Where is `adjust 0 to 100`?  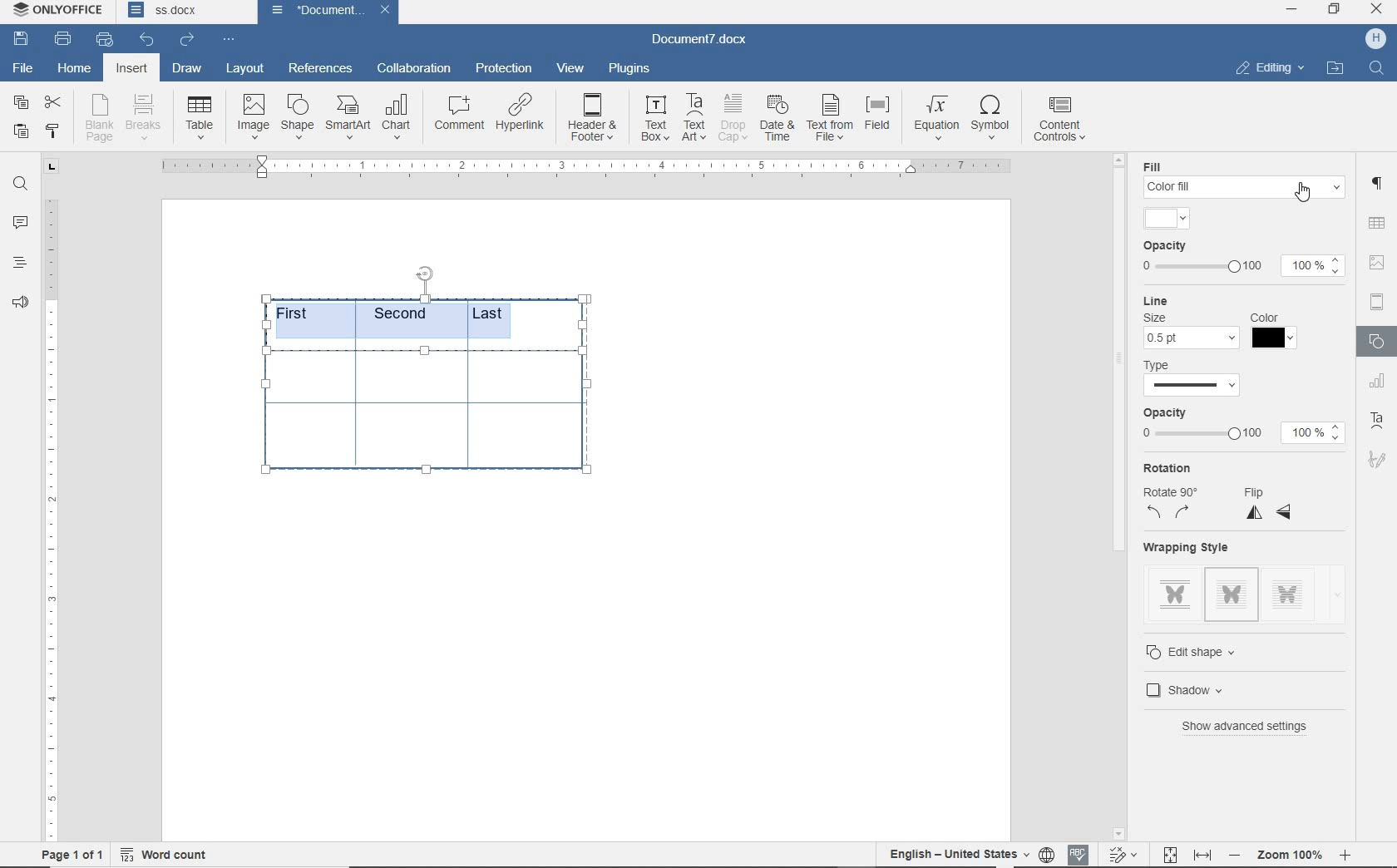
adjust 0 to 100 is located at coordinates (1198, 265).